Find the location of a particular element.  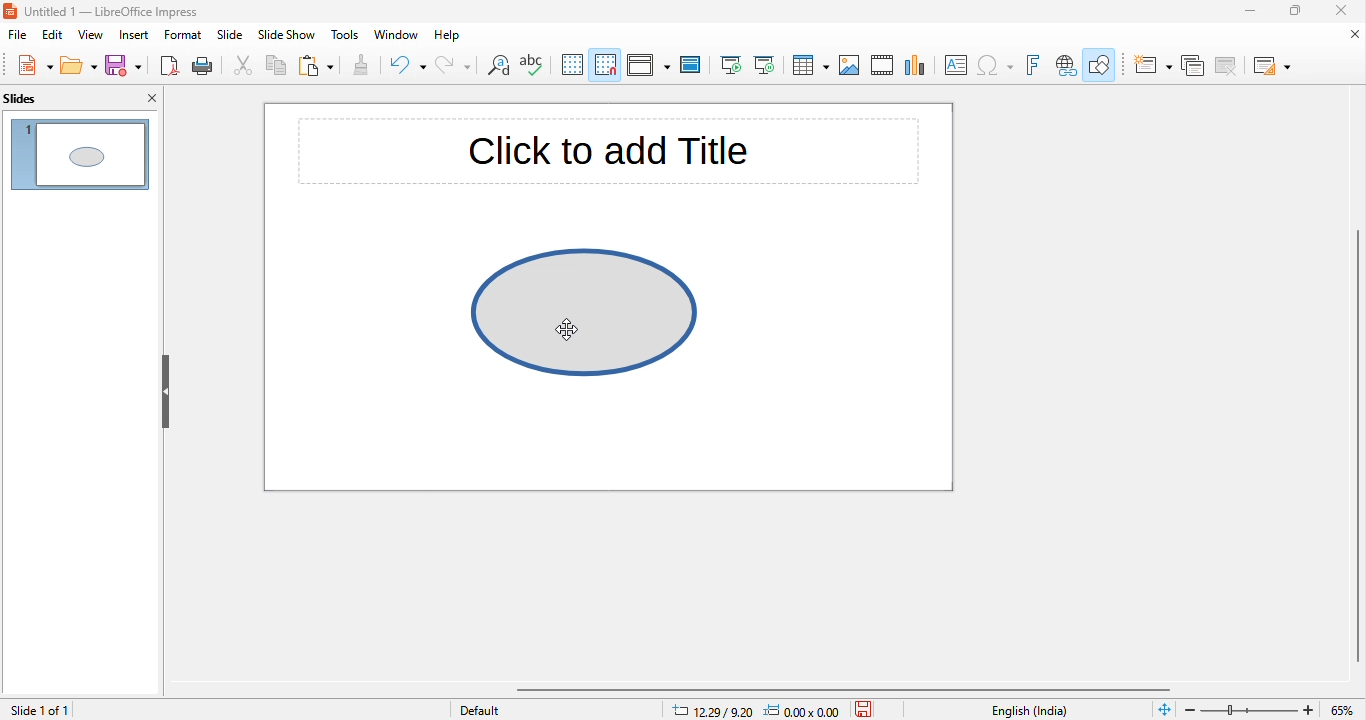

format is located at coordinates (183, 36).